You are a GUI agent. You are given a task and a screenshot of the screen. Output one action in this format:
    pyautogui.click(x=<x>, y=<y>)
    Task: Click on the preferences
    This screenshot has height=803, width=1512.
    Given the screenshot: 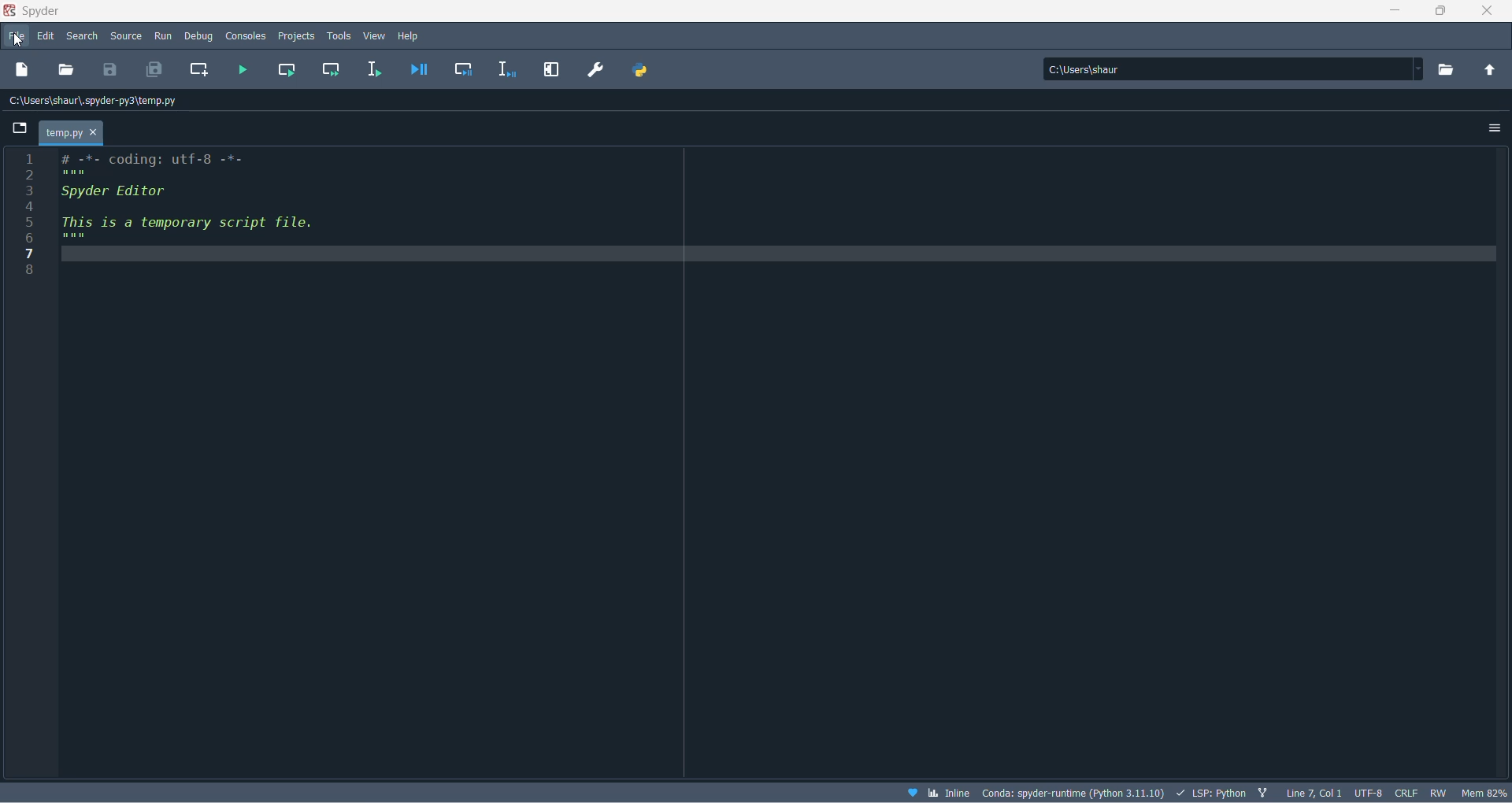 What is the action you would take?
    pyautogui.click(x=595, y=71)
    